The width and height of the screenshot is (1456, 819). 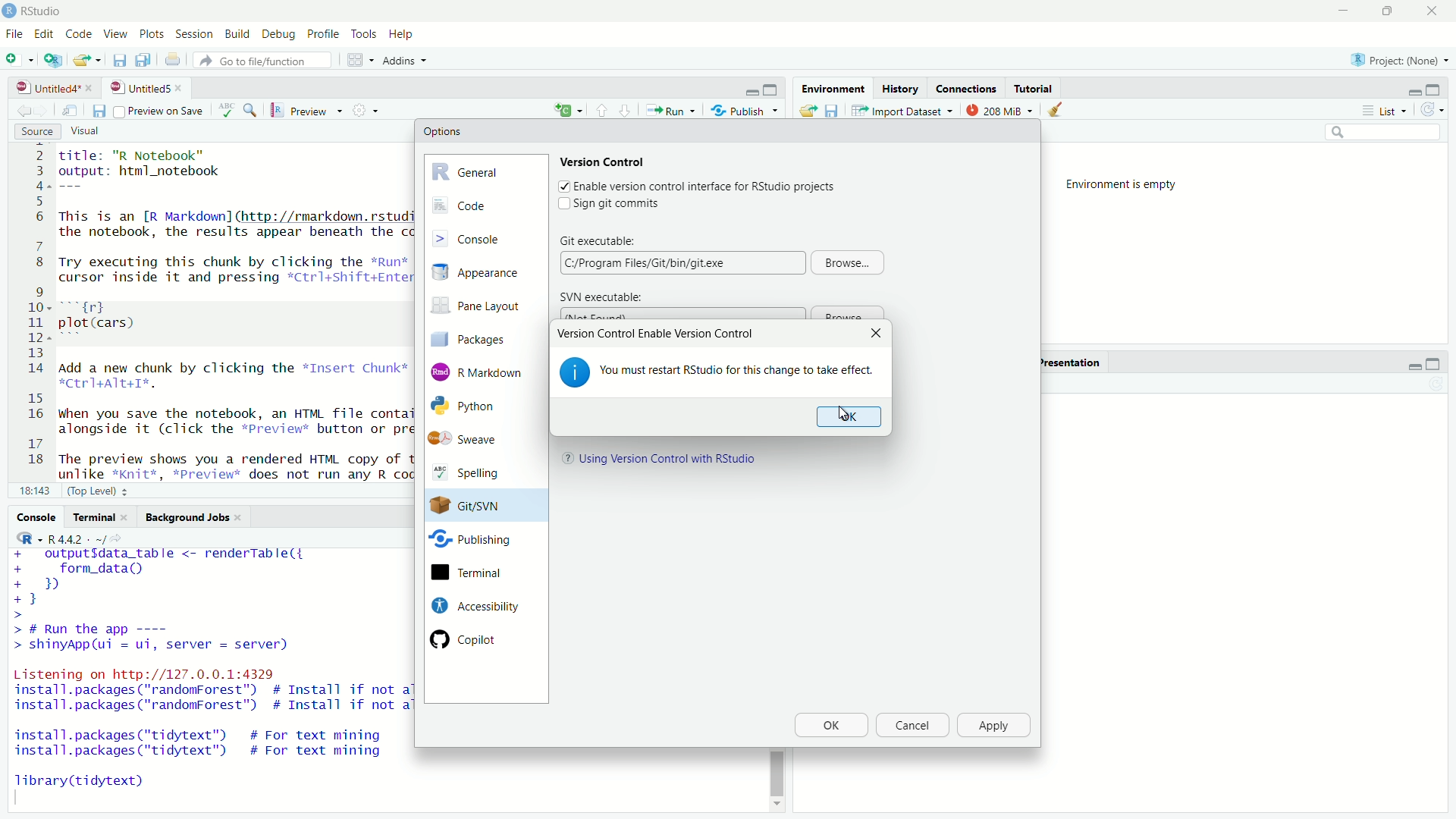 I want to click on Build, so click(x=239, y=35).